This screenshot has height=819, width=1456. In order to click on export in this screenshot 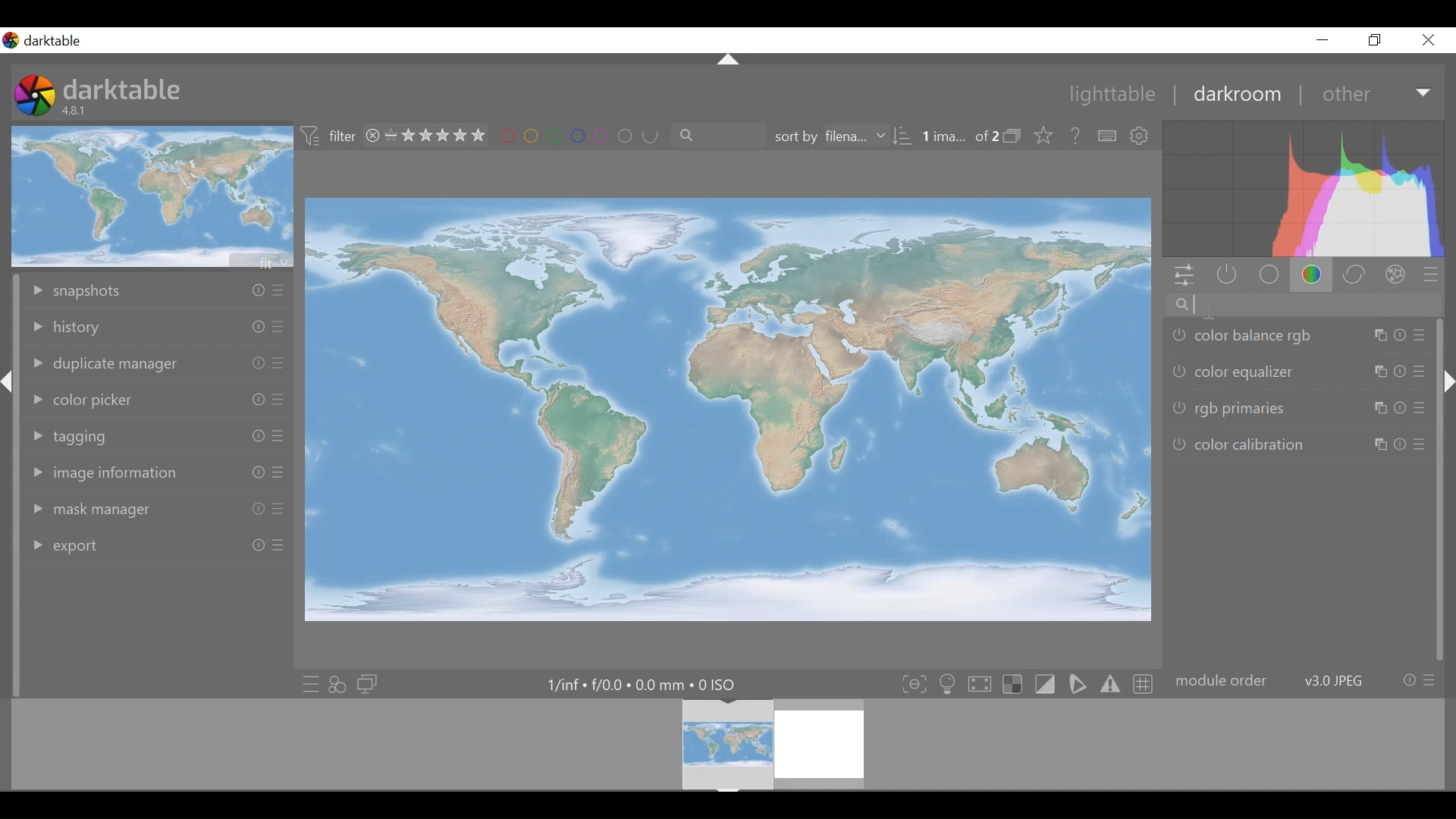, I will do `click(157, 545)`.